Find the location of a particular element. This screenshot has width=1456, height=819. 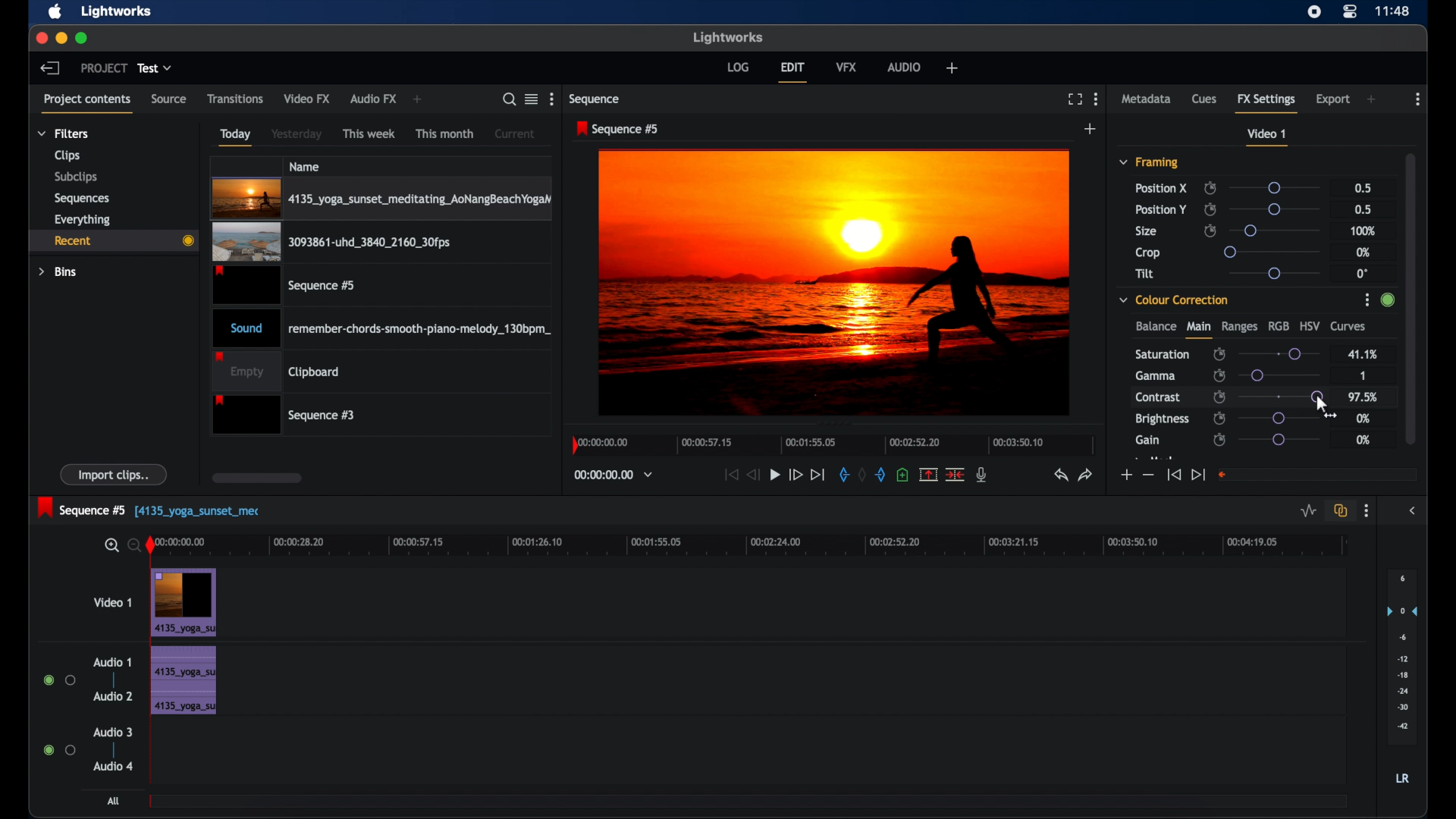

color correction is located at coordinates (1175, 299).